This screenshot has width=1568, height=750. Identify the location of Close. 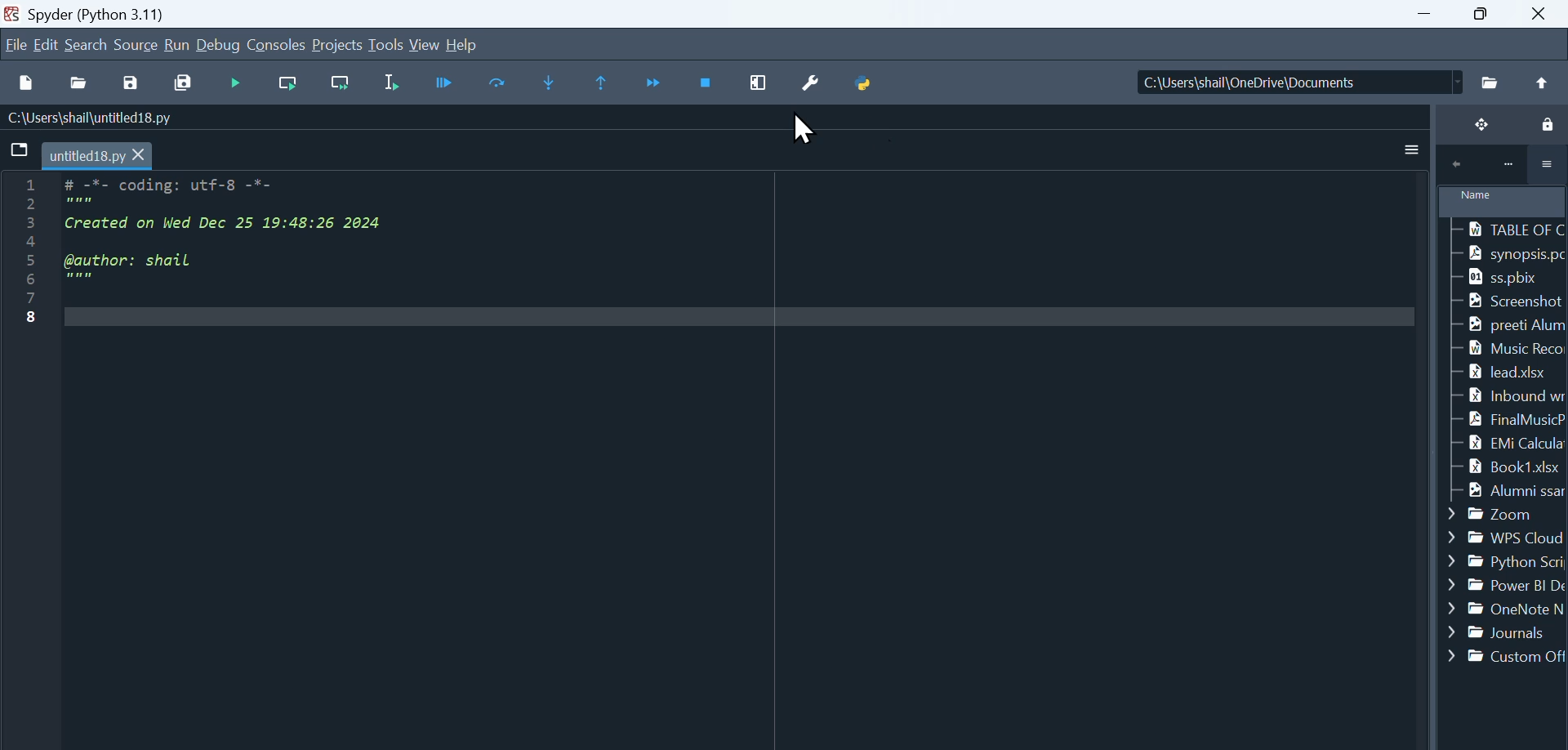
(1544, 13).